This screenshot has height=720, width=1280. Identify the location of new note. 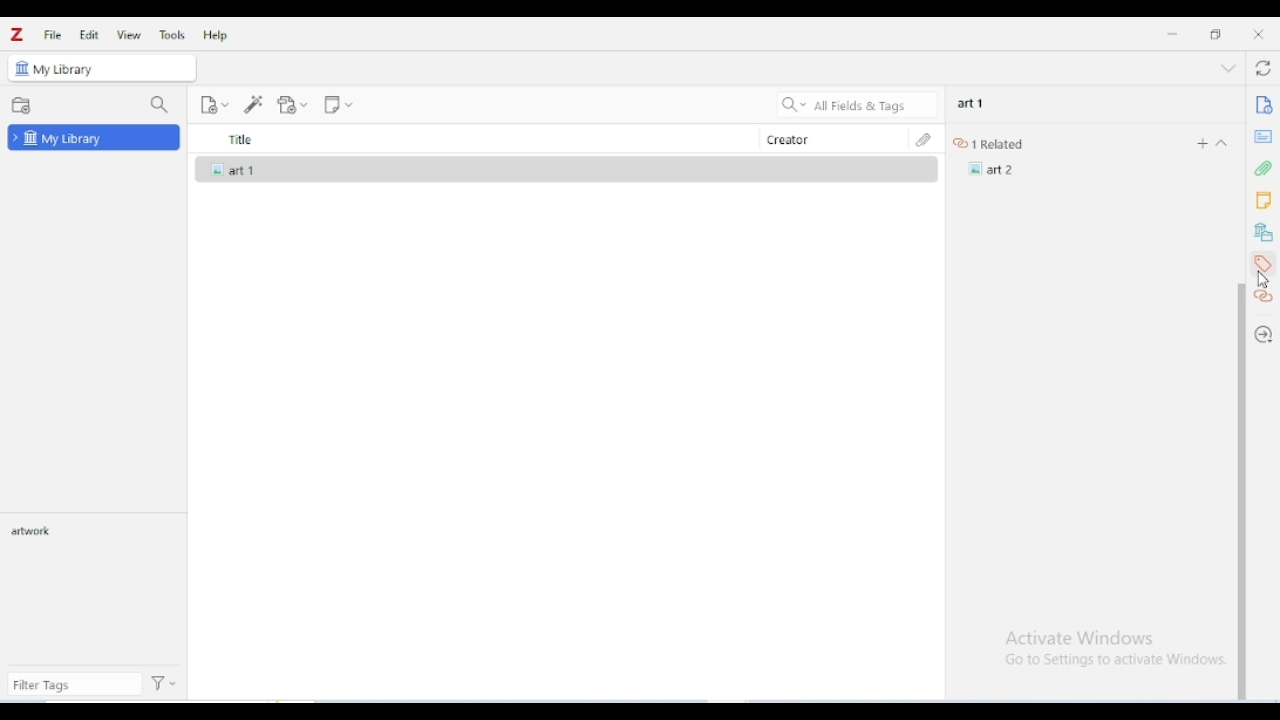
(338, 105).